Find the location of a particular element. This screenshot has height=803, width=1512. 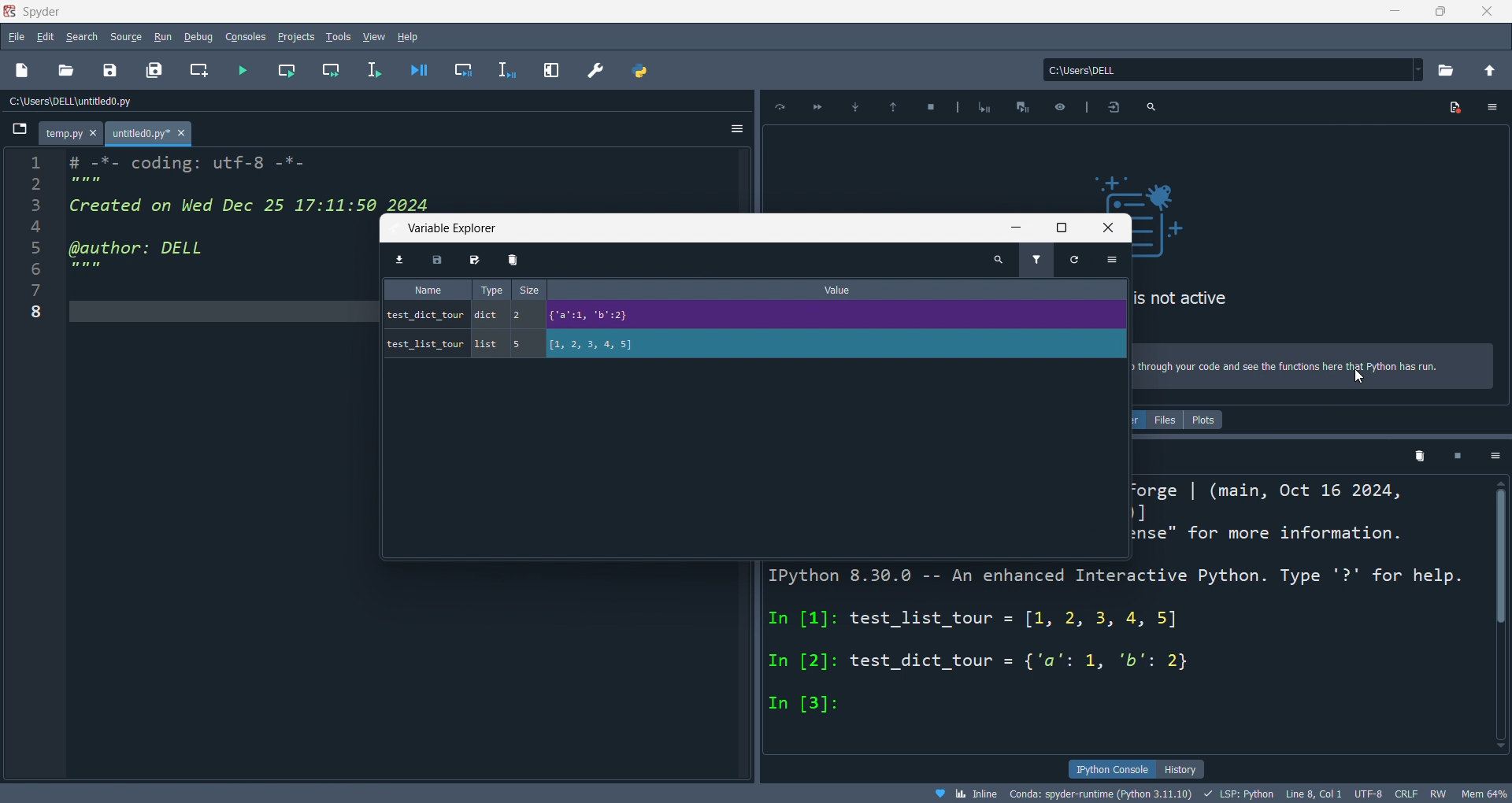

Mem 63% is located at coordinates (1485, 793).